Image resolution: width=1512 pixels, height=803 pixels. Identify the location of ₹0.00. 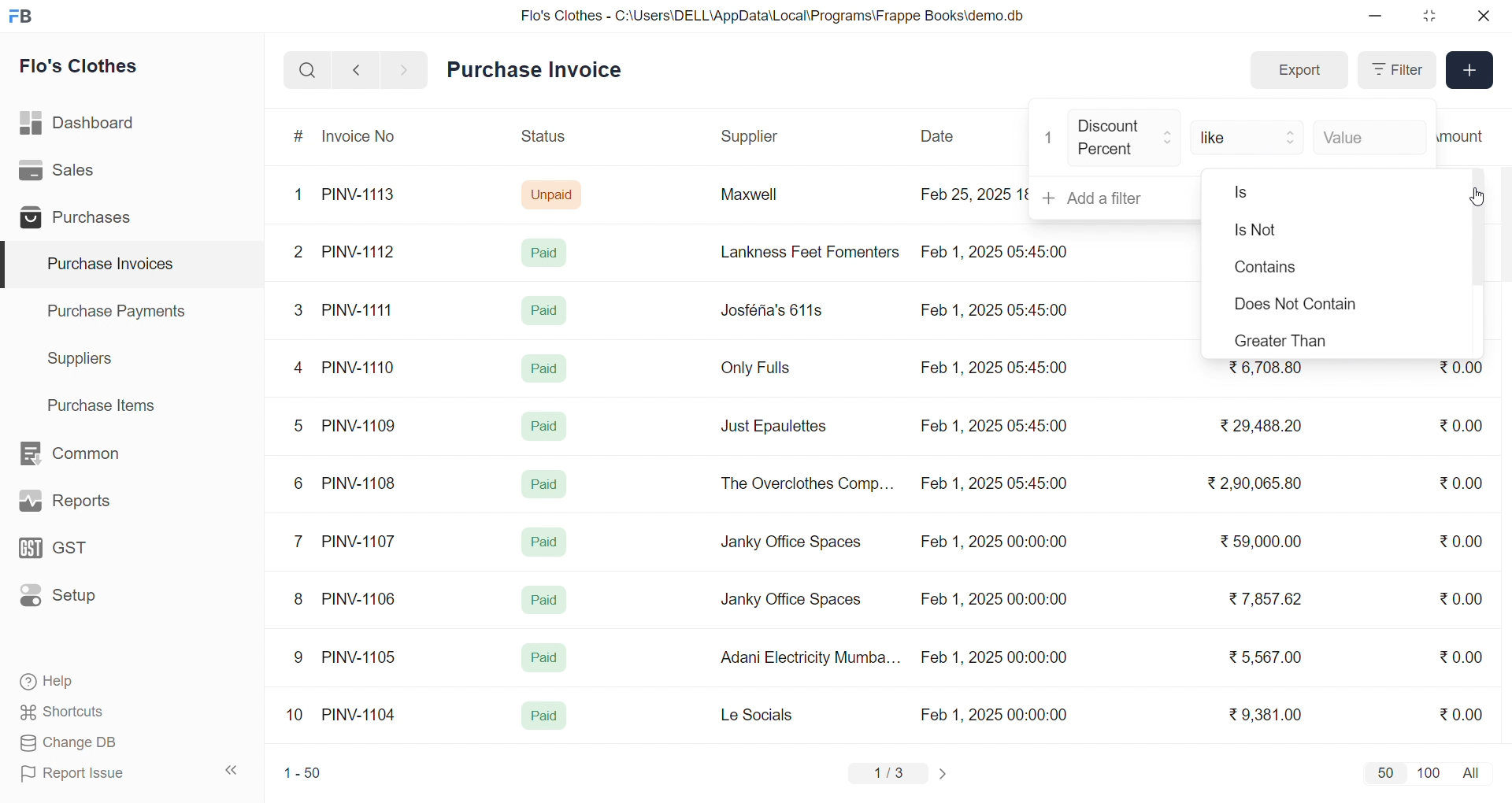
(1461, 598).